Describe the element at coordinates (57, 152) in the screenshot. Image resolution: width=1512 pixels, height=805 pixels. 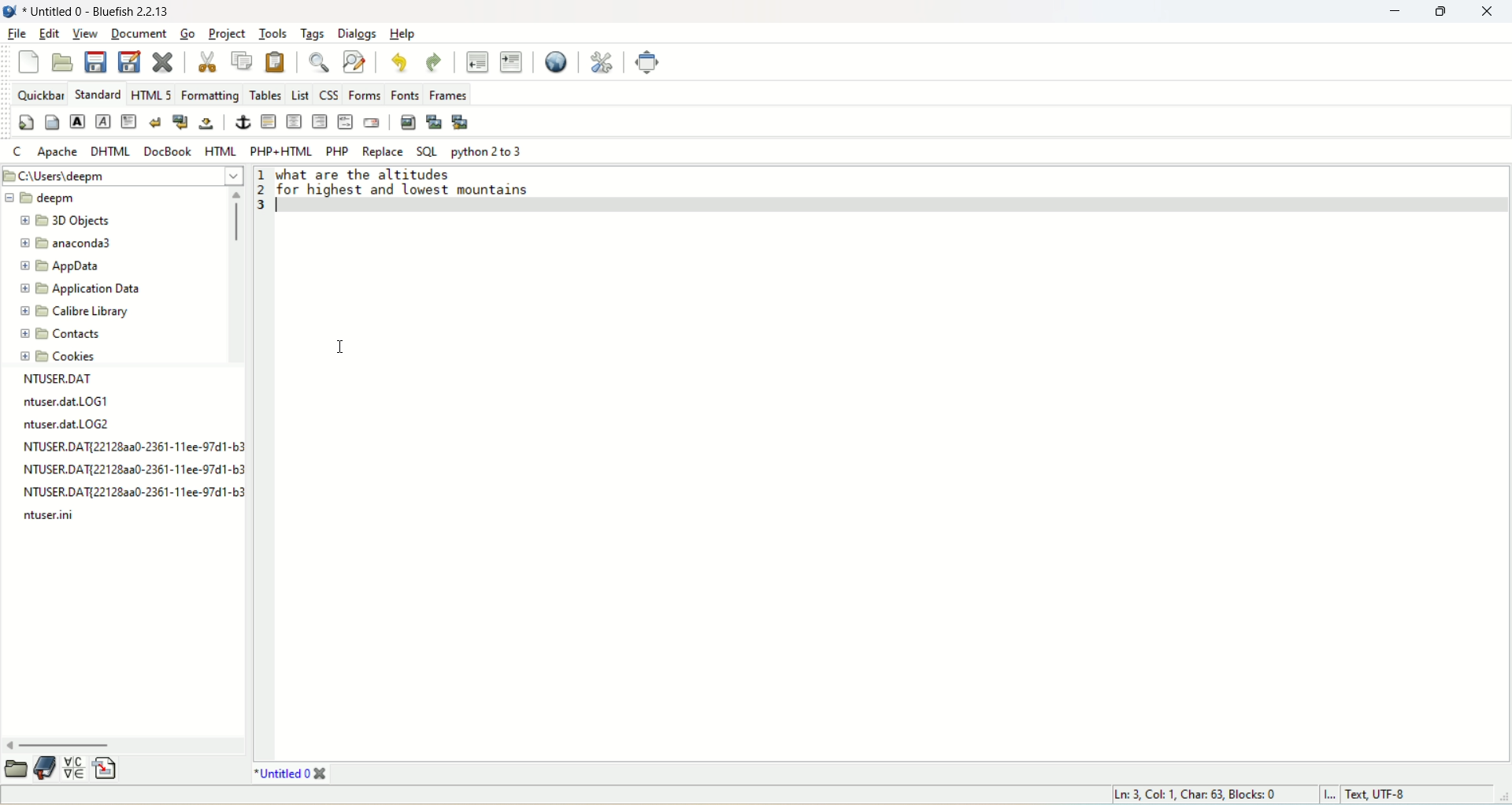
I see `Apache` at that location.